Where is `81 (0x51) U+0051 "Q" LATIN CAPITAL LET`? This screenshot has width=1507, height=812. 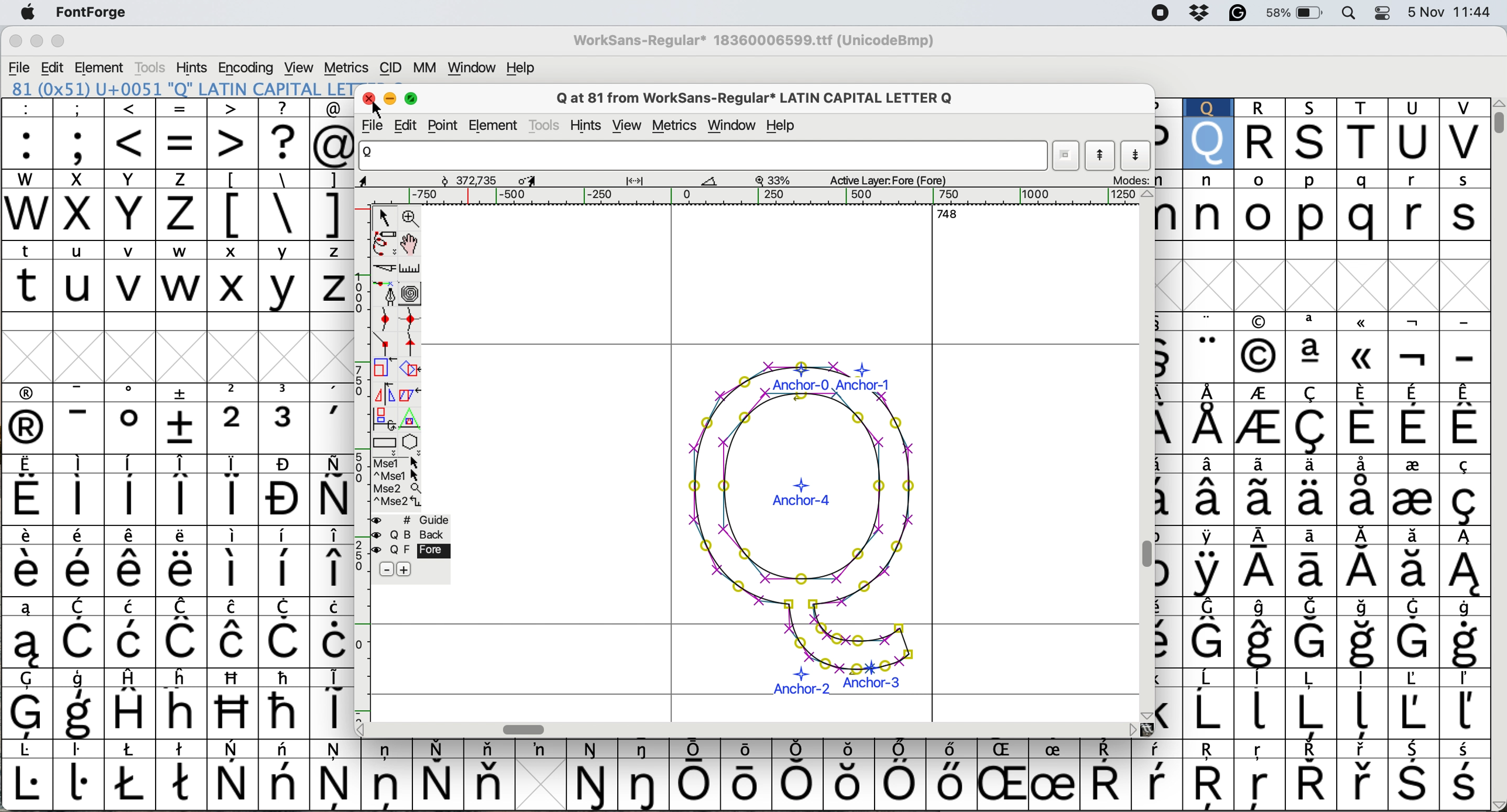
81 (0x51) U+0051 "Q" LATIN CAPITAL LET is located at coordinates (178, 85).